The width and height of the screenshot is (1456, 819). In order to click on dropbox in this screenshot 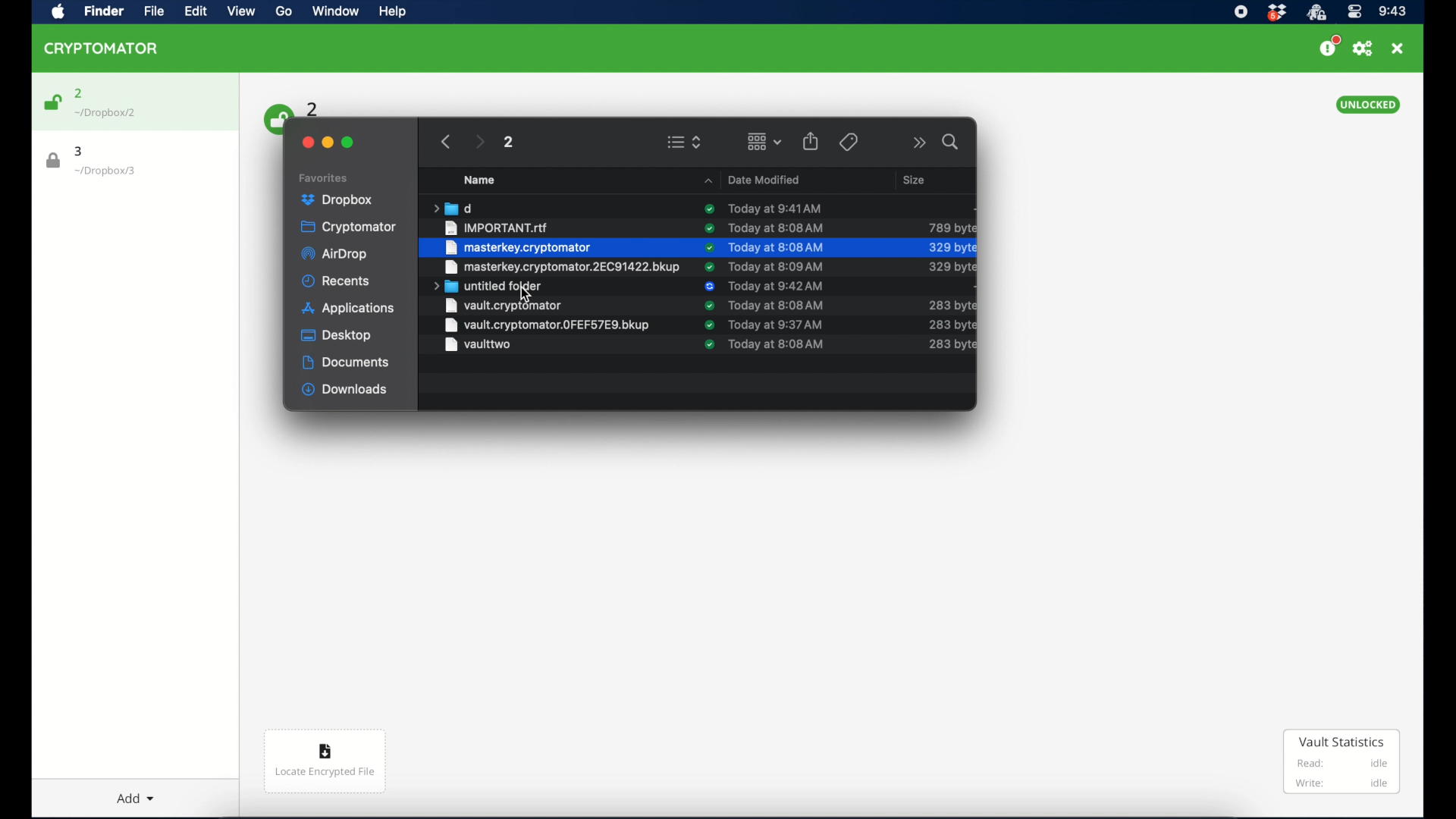, I will do `click(337, 200)`.